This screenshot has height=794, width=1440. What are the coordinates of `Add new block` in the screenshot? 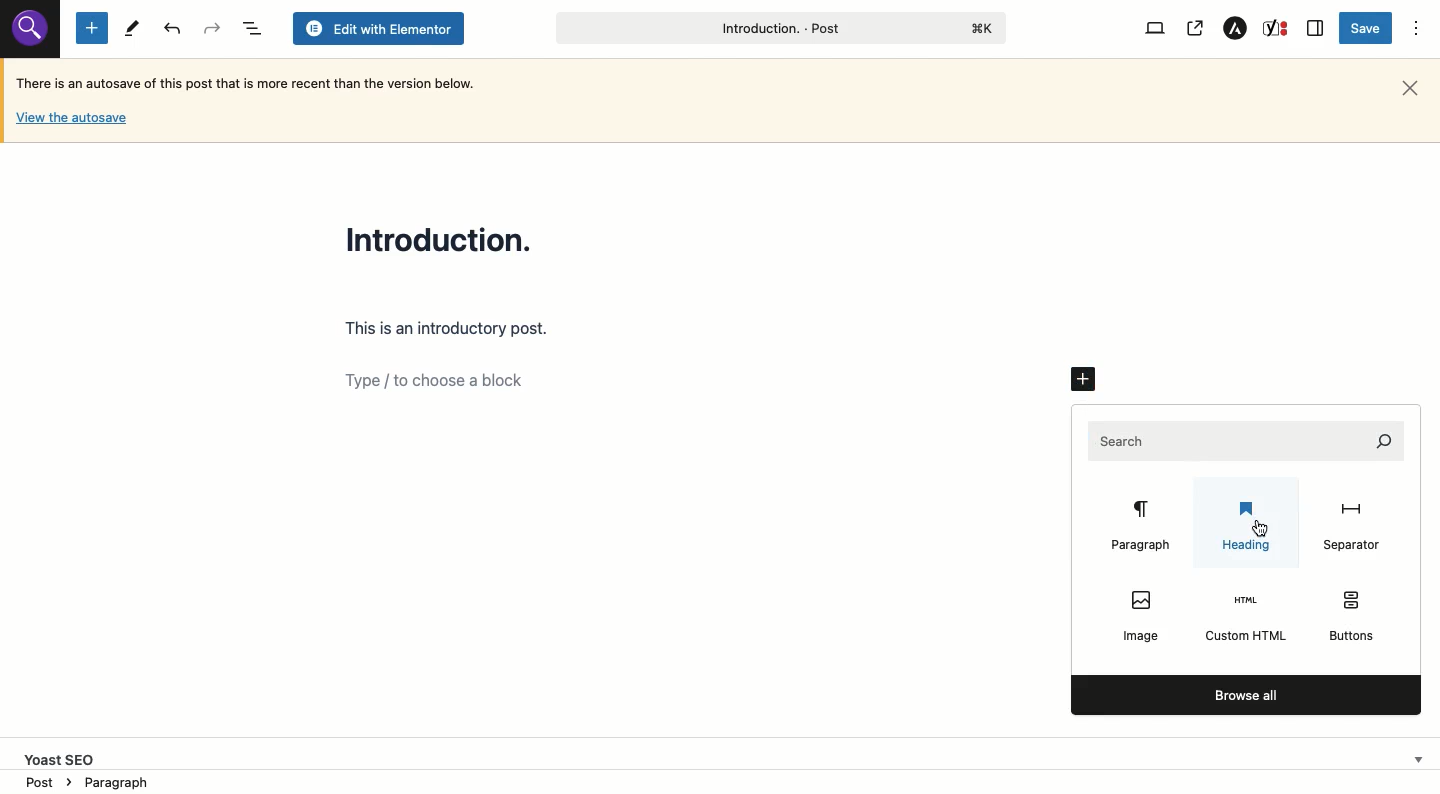 It's located at (92, 27).